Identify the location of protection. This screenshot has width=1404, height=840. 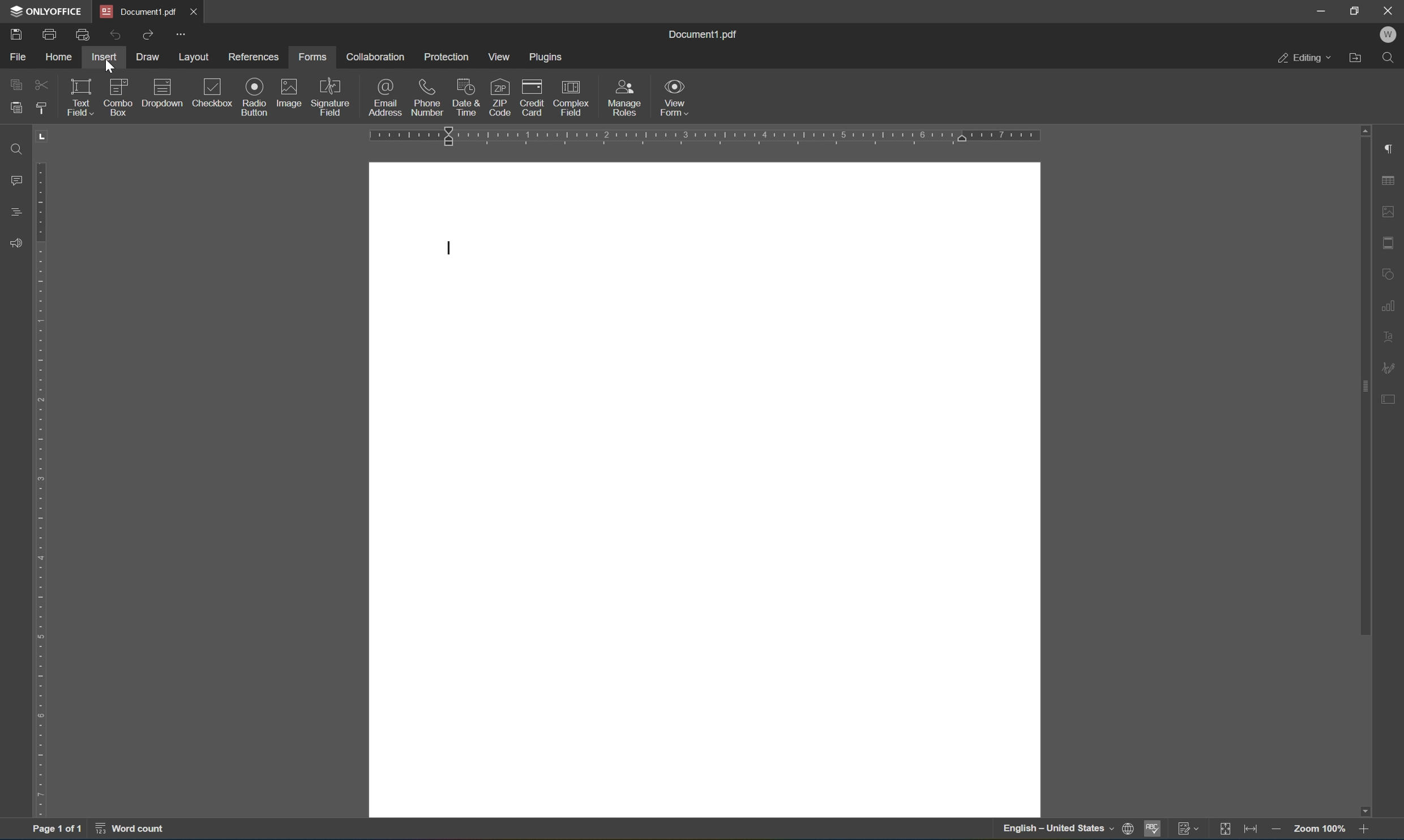
(447, 58).